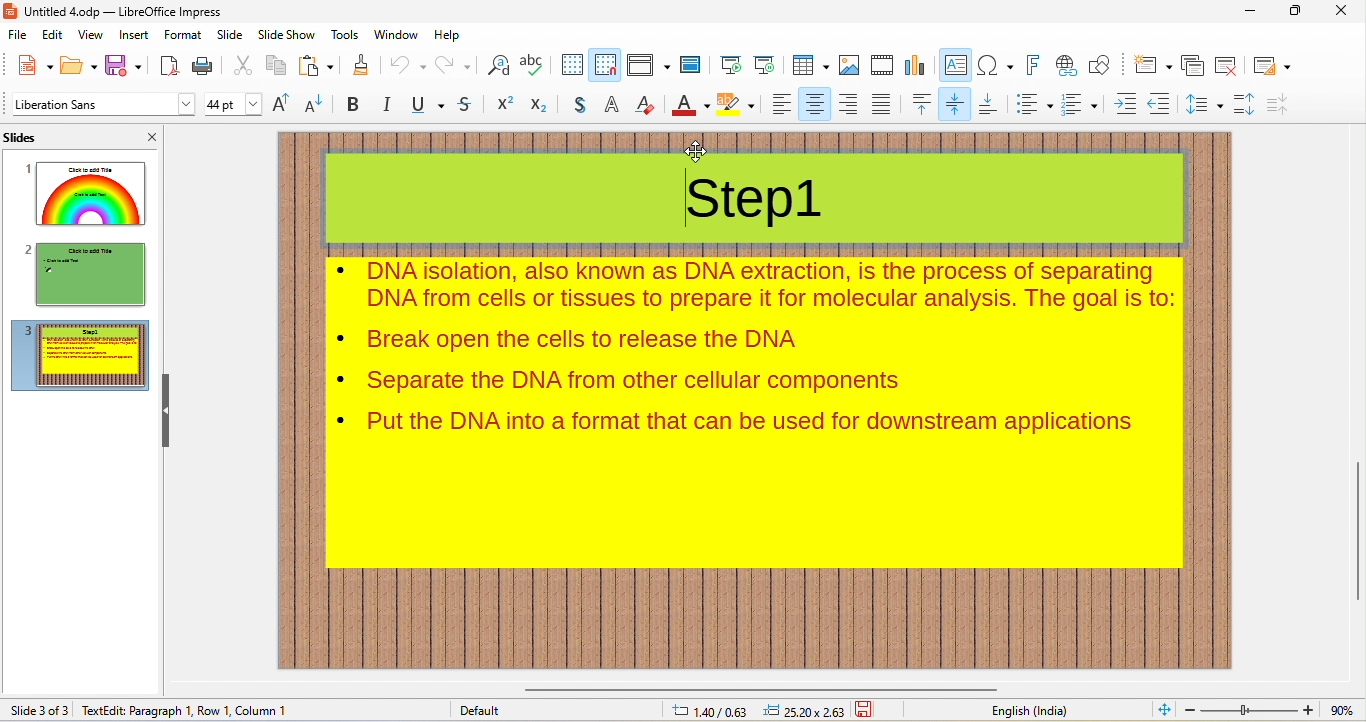 The width and height of the screenshot is (1366, 722). I want to click on save, so click(867, 710).